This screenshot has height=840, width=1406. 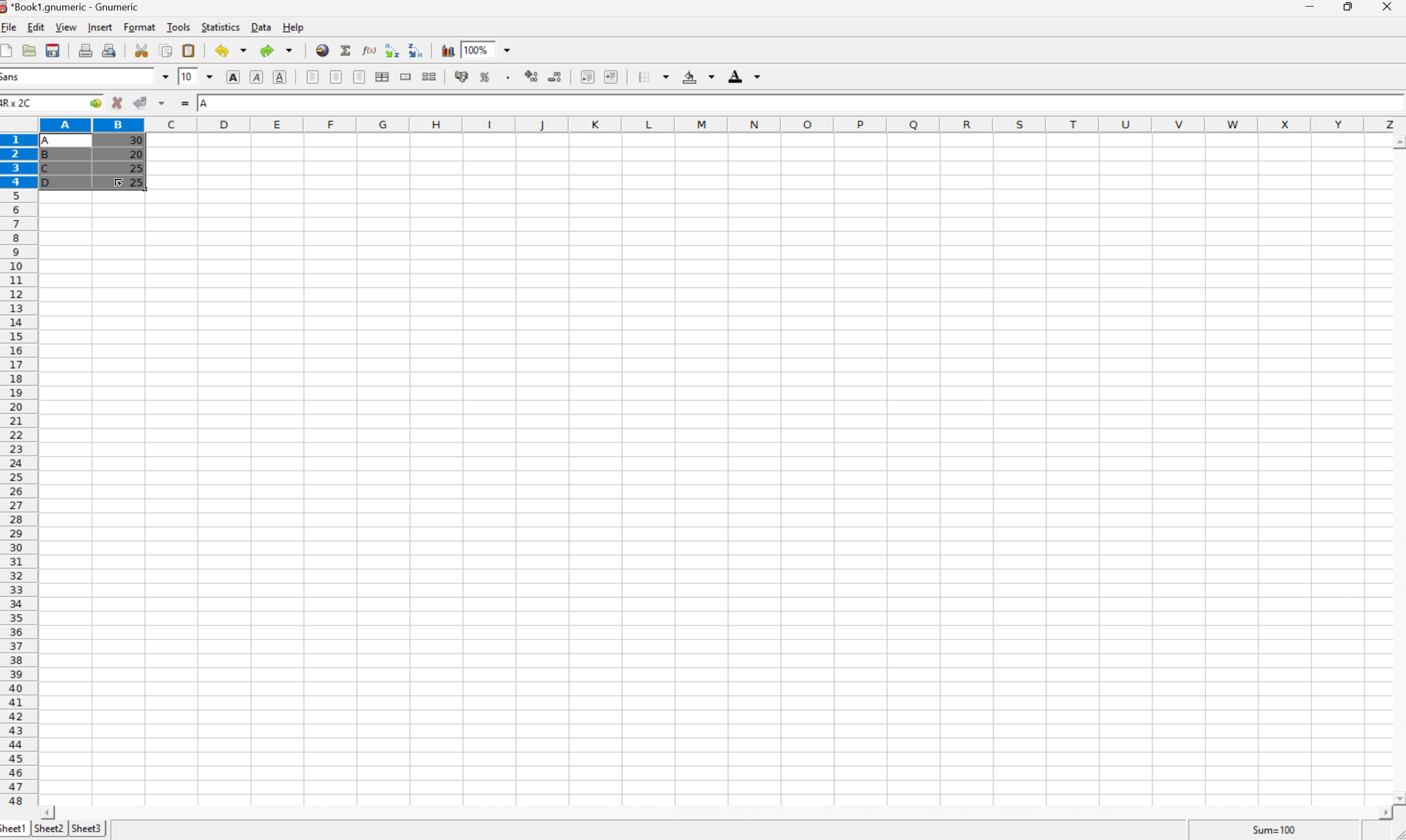 I want to click on Sort the selected region in descending order based on the first column selected, so click(x=415, y=49).